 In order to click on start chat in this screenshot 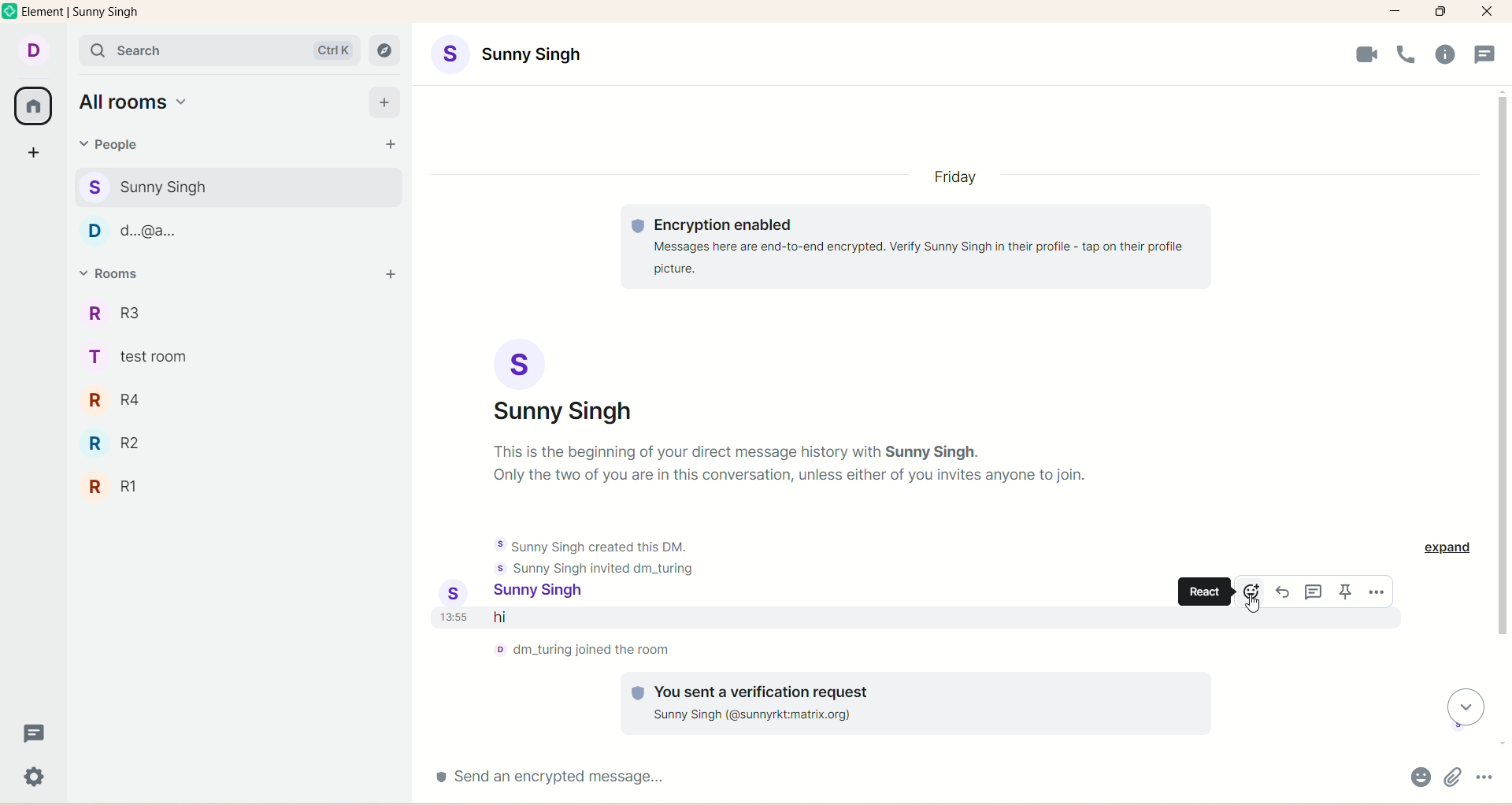, I will do `click(389, 144)`.